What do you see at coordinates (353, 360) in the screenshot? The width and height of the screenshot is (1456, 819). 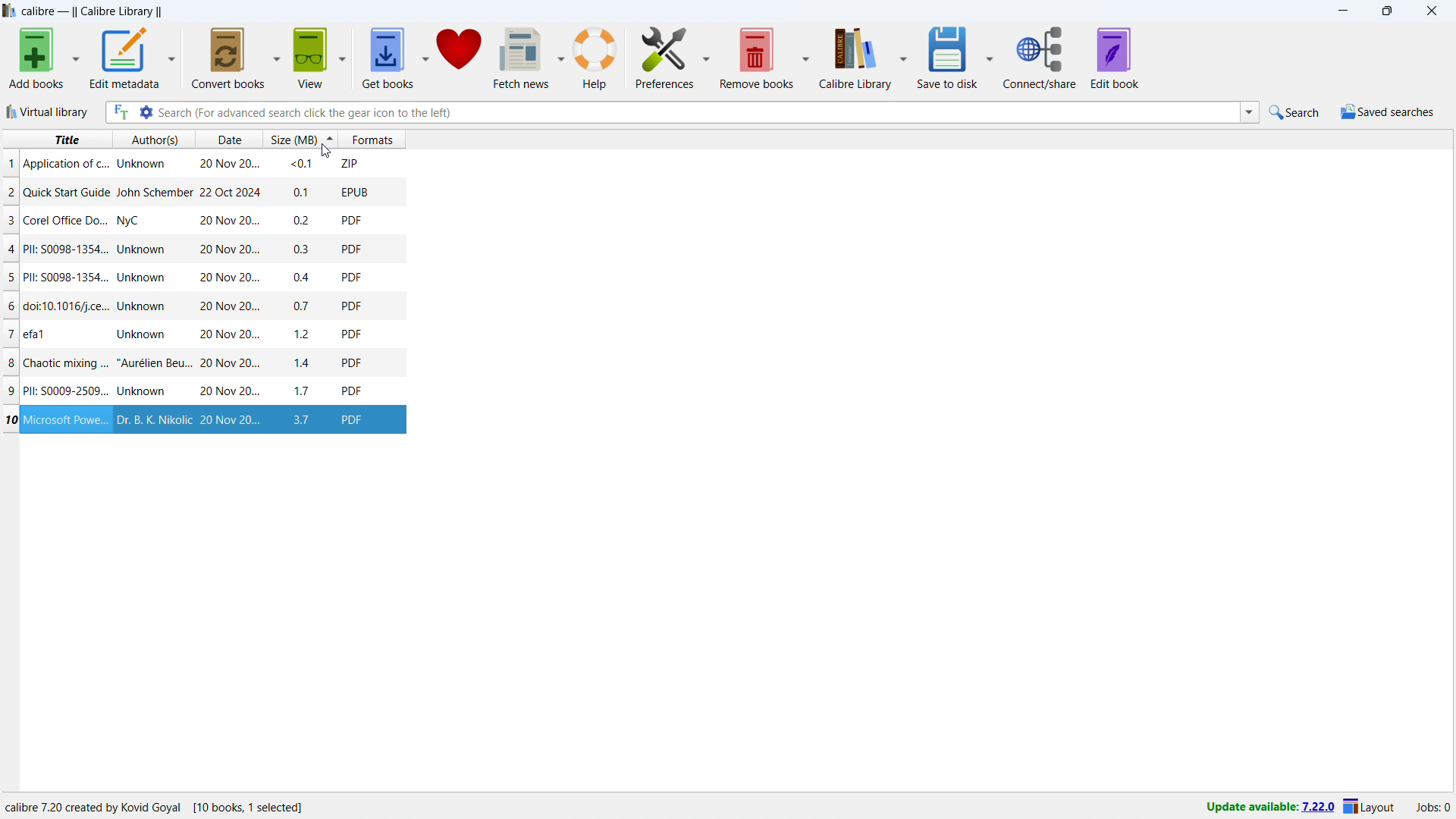 I see `PDF` at bounding box center [353, 360].